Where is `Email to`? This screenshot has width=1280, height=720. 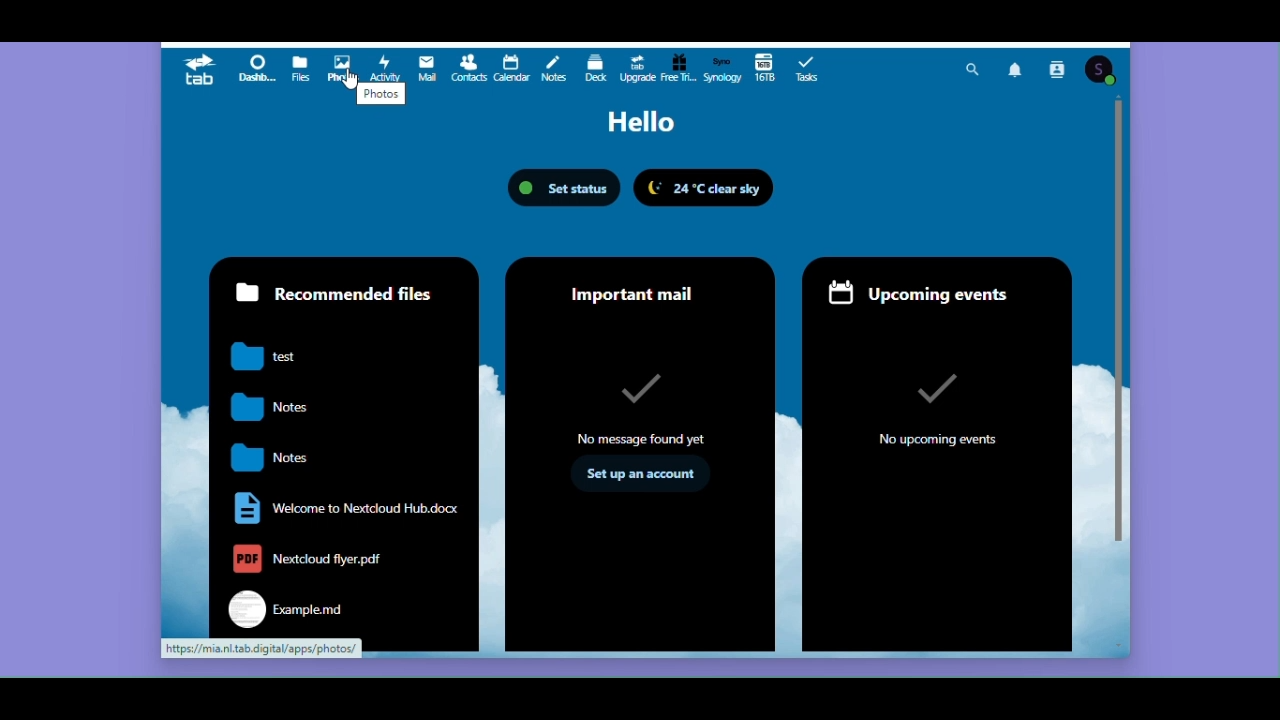 Email to is located at coordinates (428, 68).